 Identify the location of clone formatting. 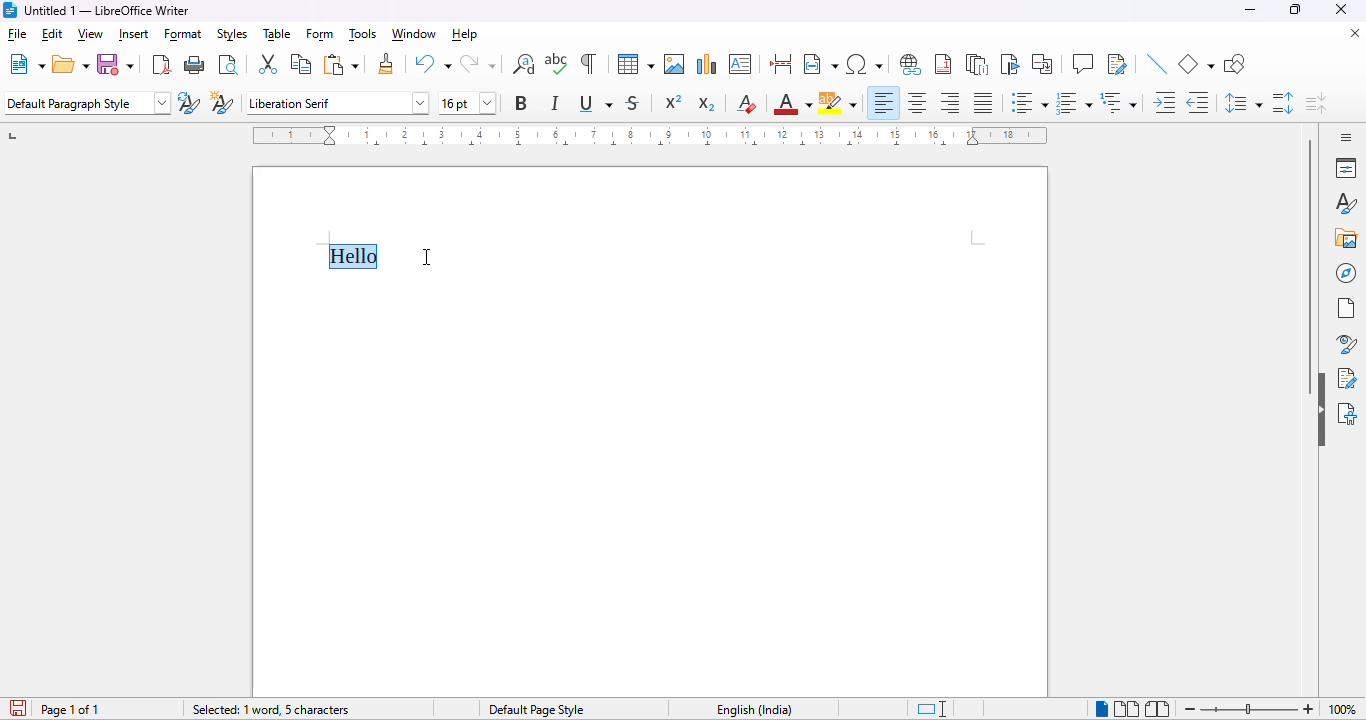
(387, 64).